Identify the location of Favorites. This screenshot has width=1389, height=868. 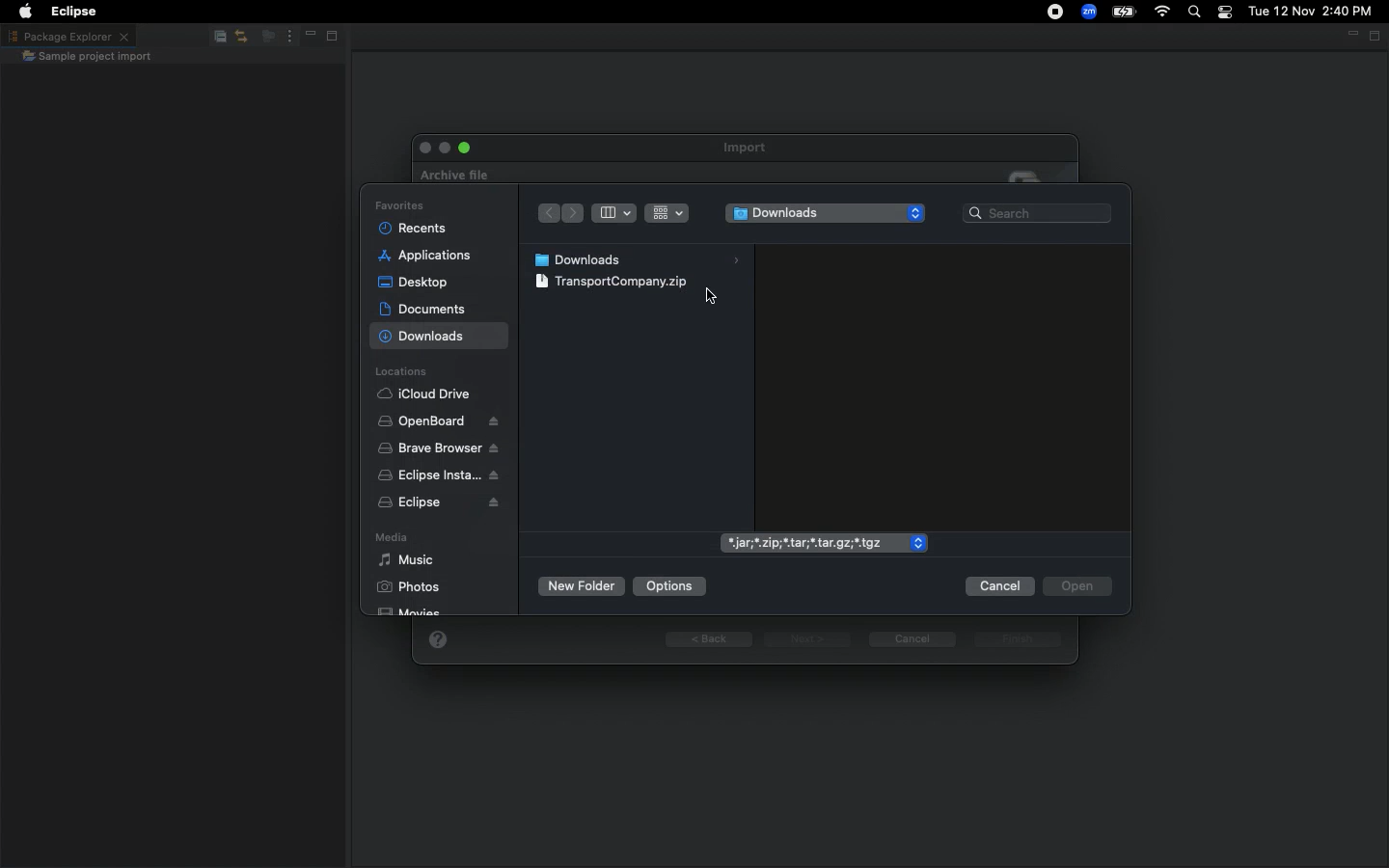
(396, 205).